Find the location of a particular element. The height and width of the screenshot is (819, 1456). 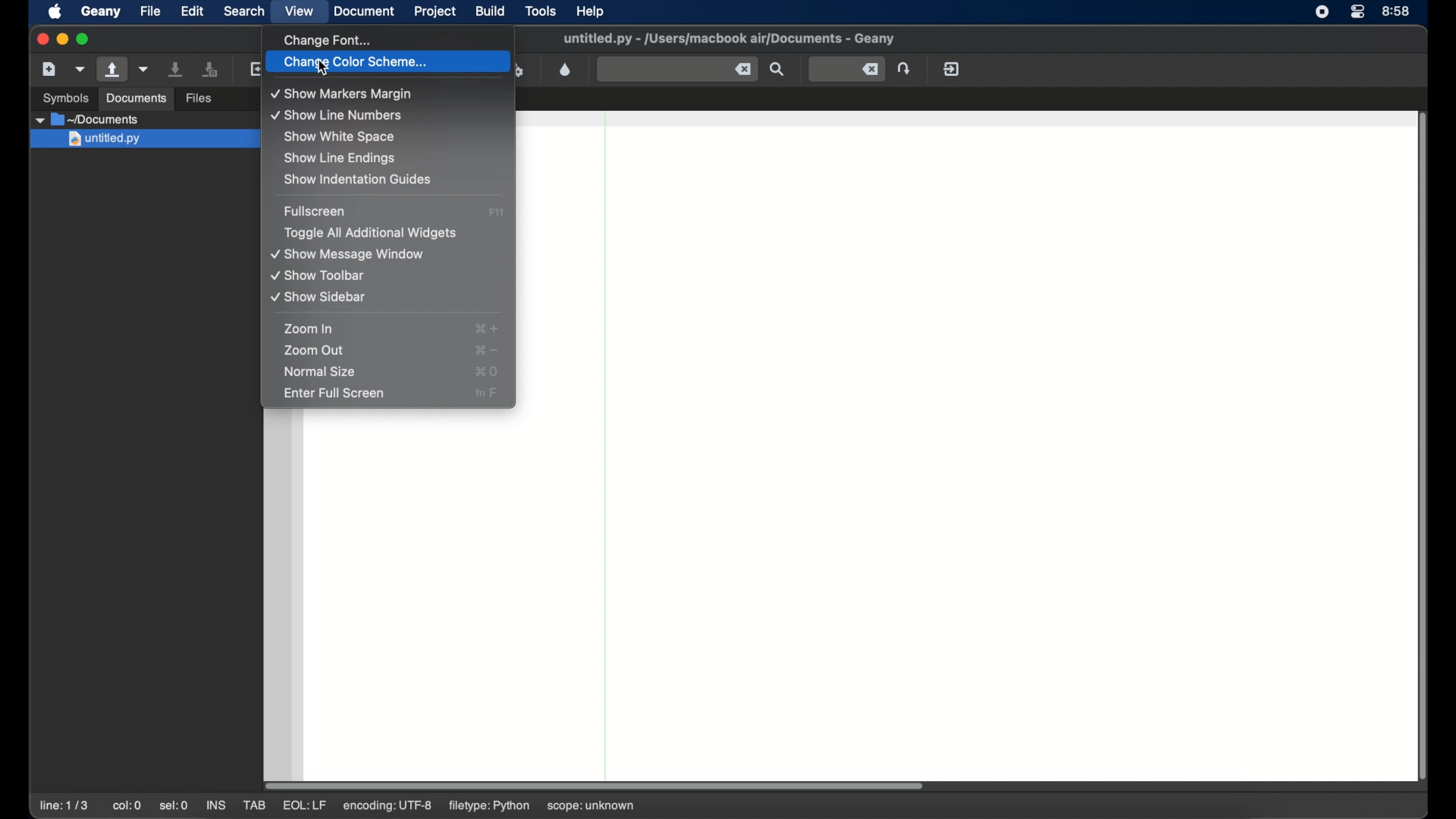

eql: lf is located at coordinates (305, 805).